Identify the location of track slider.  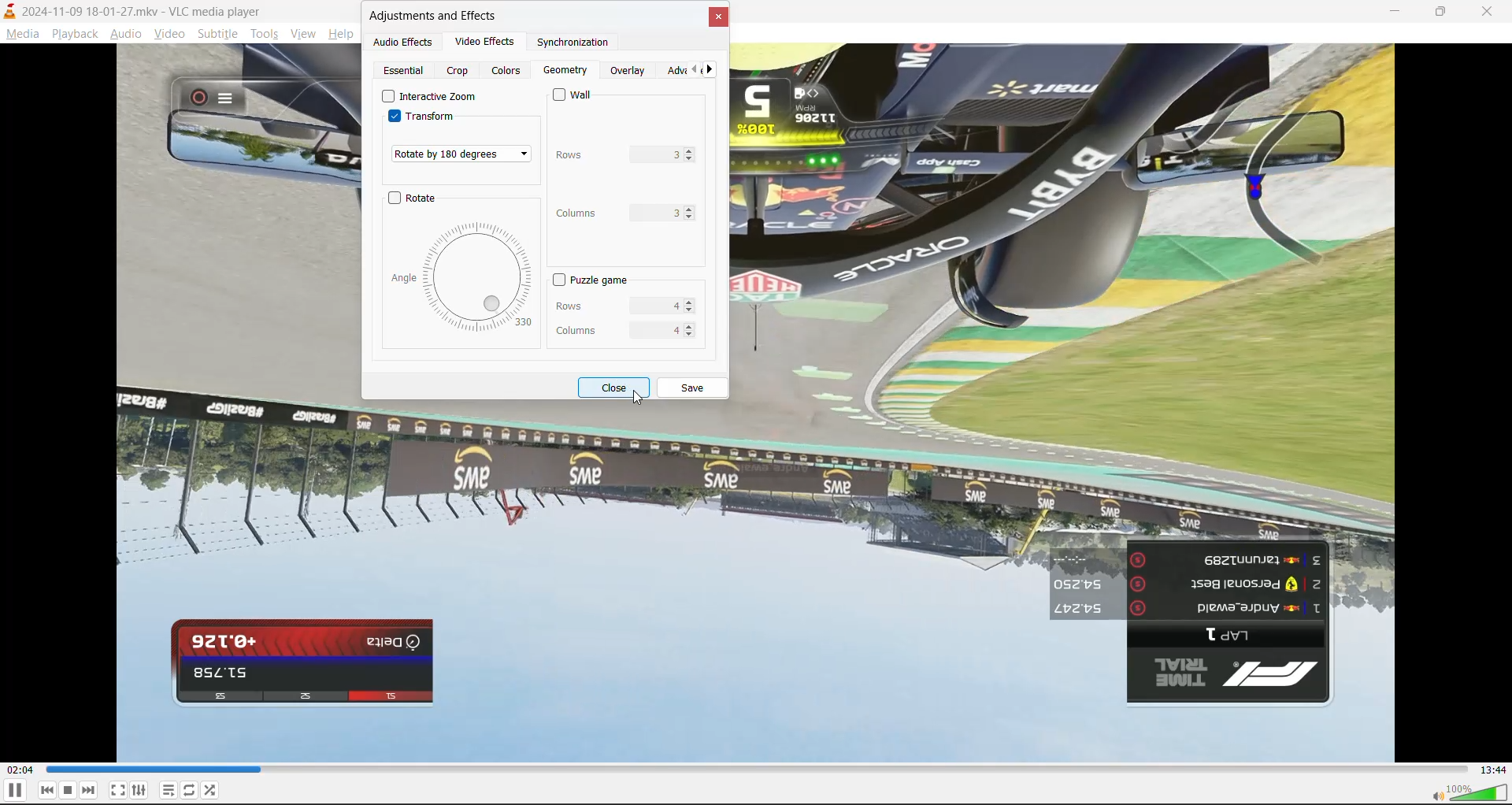
(754, 770).